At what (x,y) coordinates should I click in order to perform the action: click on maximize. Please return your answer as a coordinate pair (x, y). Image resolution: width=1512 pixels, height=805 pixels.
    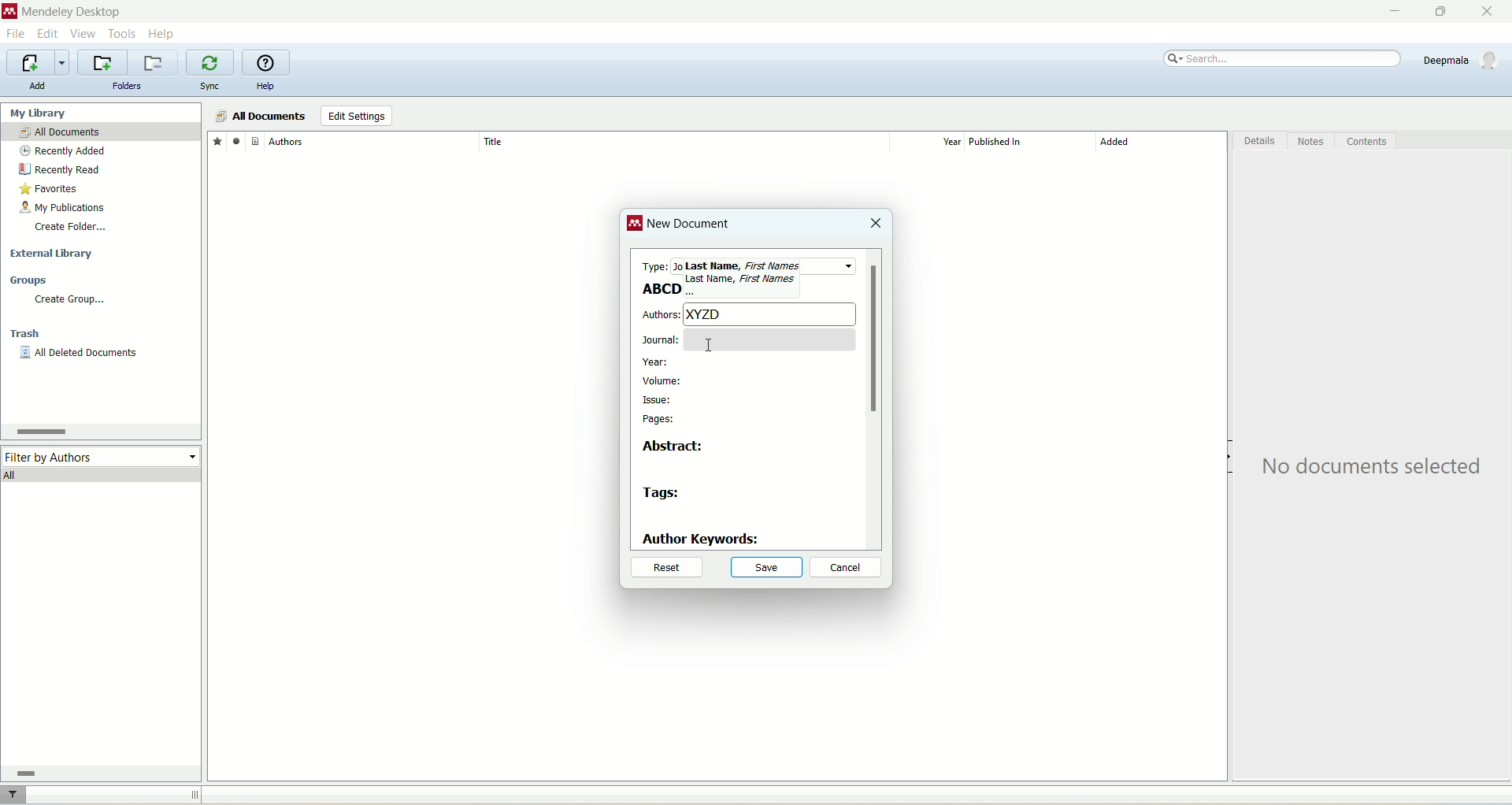
    Looking at the image, I should click on (1437, 12).